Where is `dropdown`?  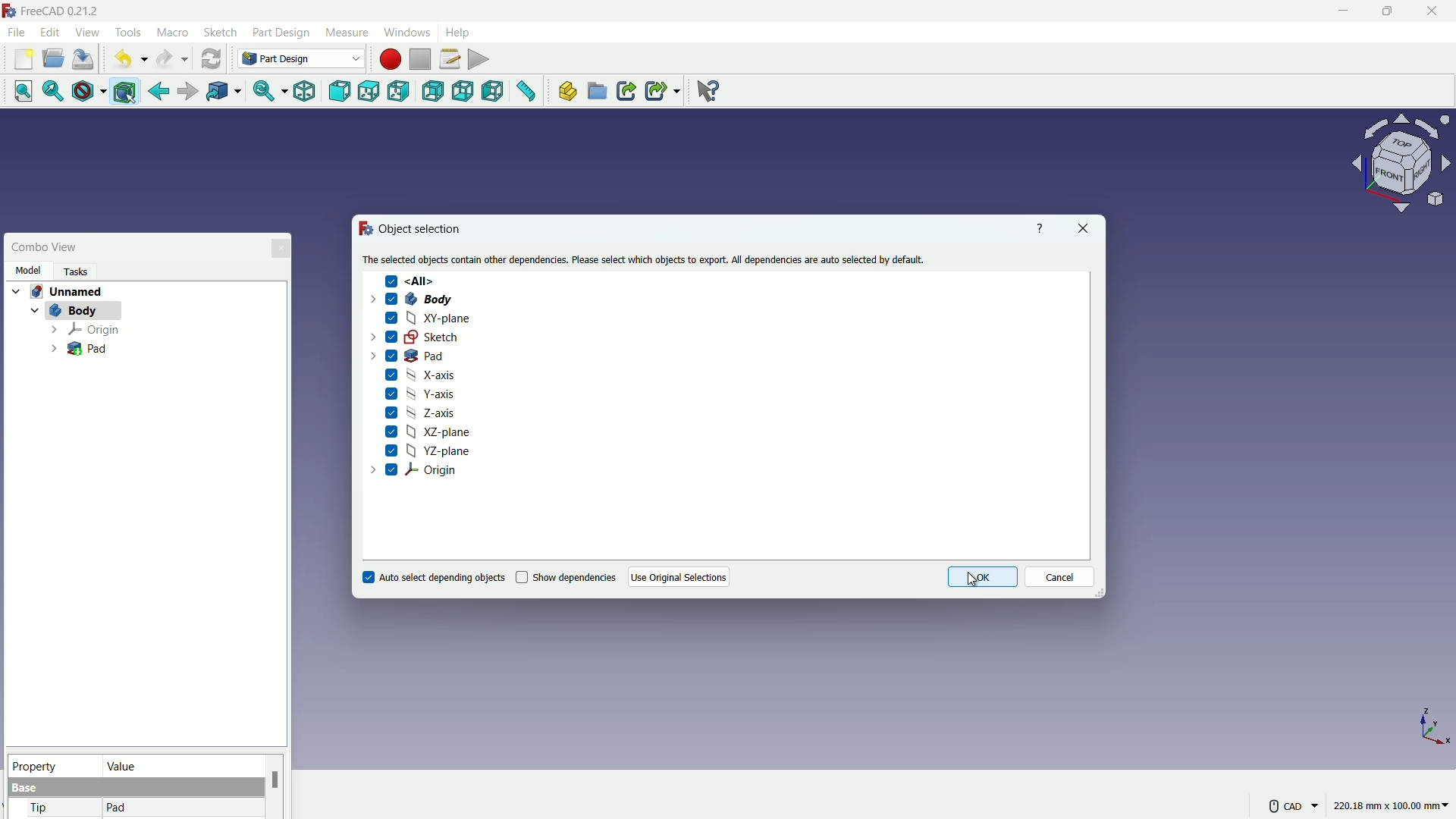 dropdown is located at coordinates (374, 470).